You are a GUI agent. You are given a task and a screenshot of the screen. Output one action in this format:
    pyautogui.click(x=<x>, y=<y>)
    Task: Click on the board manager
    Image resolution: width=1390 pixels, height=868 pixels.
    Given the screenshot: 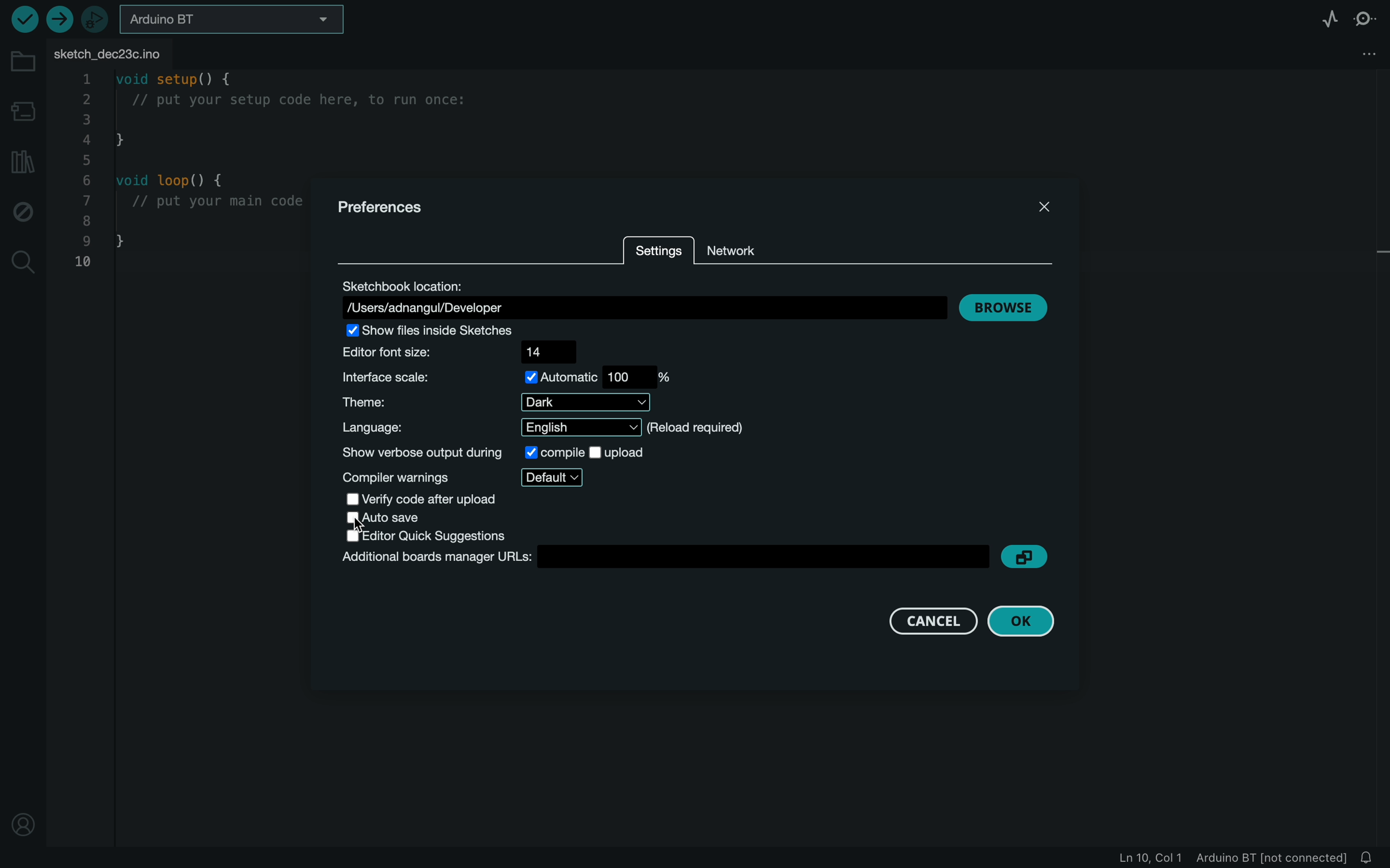 What is the action you would take?
    pyautogui.click(x=22, y=109)
    